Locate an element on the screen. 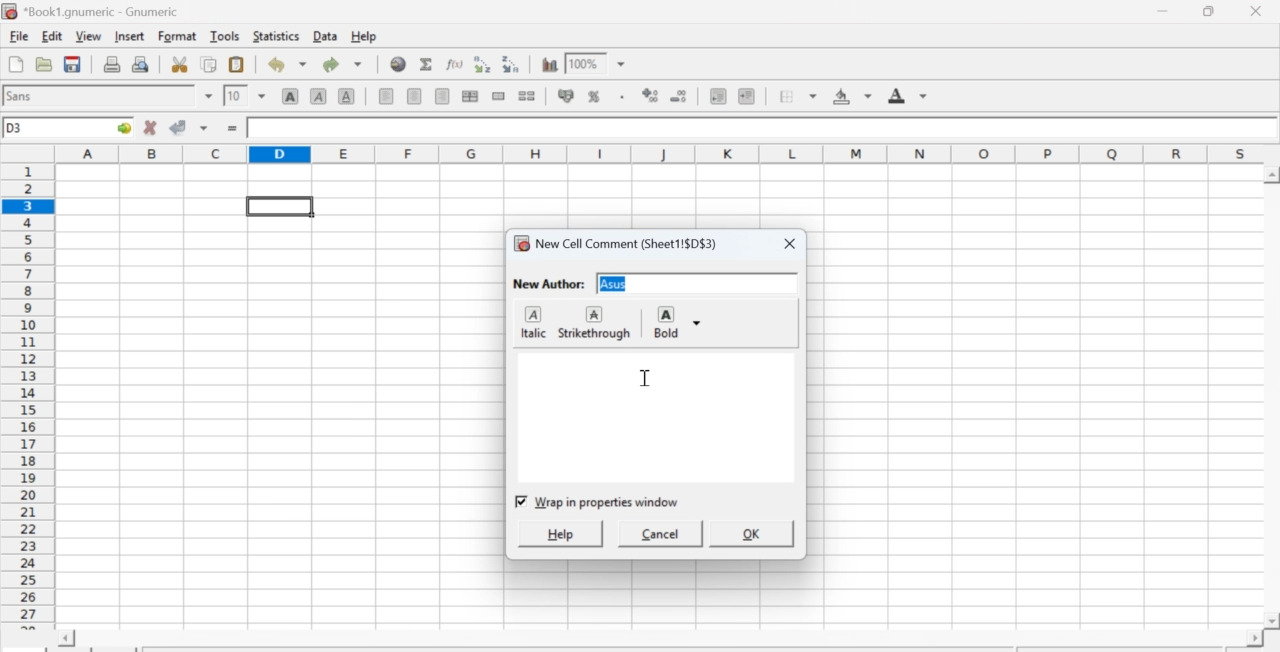 This screenshot has width=1280, height=652. Font Style is located at coordinates (100, 98).